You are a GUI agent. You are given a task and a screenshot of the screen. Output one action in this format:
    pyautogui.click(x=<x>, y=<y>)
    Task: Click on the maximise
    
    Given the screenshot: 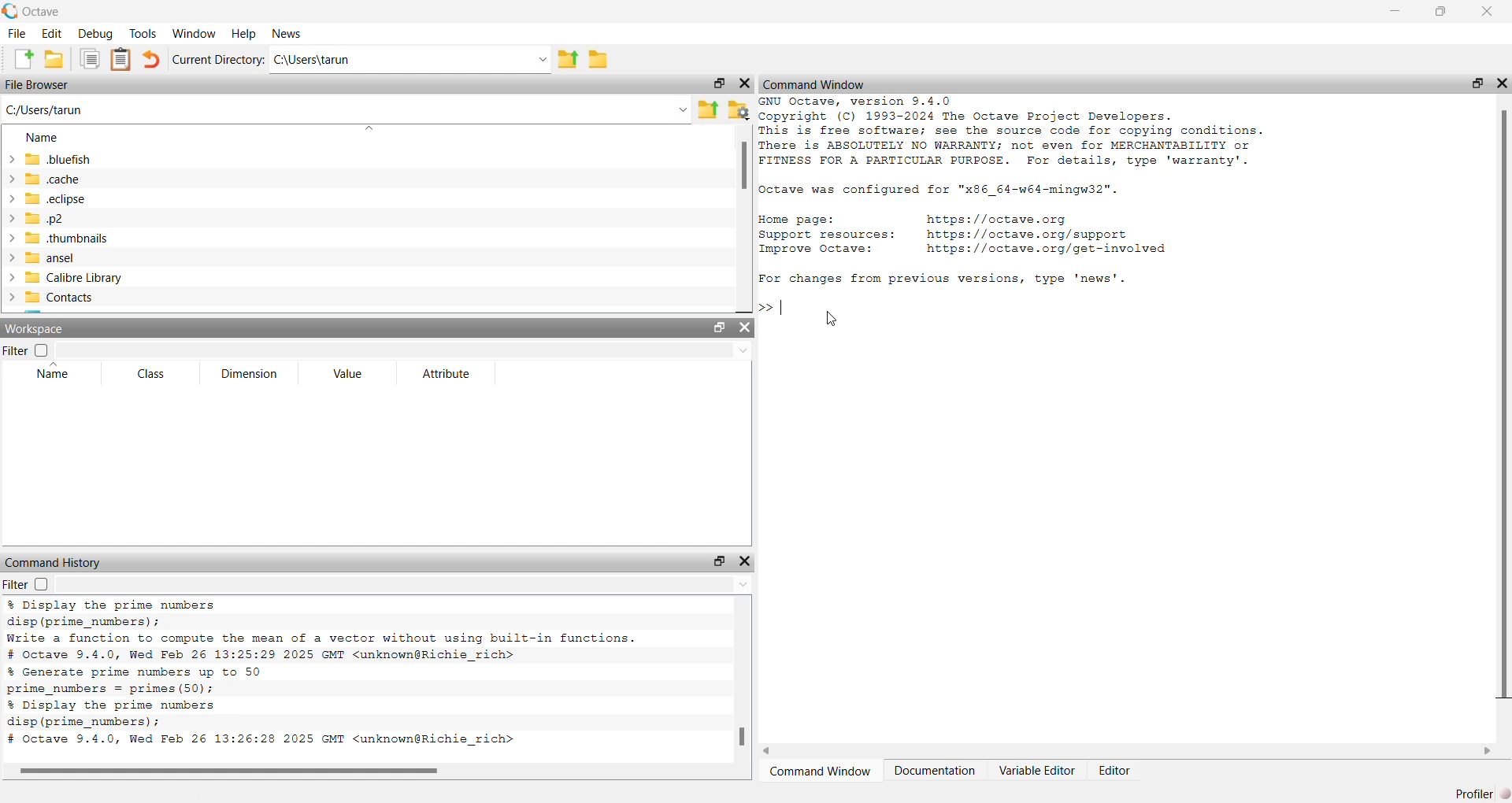 What is the action you would take?
    pyautogui.click(x=1443, y=11)
    